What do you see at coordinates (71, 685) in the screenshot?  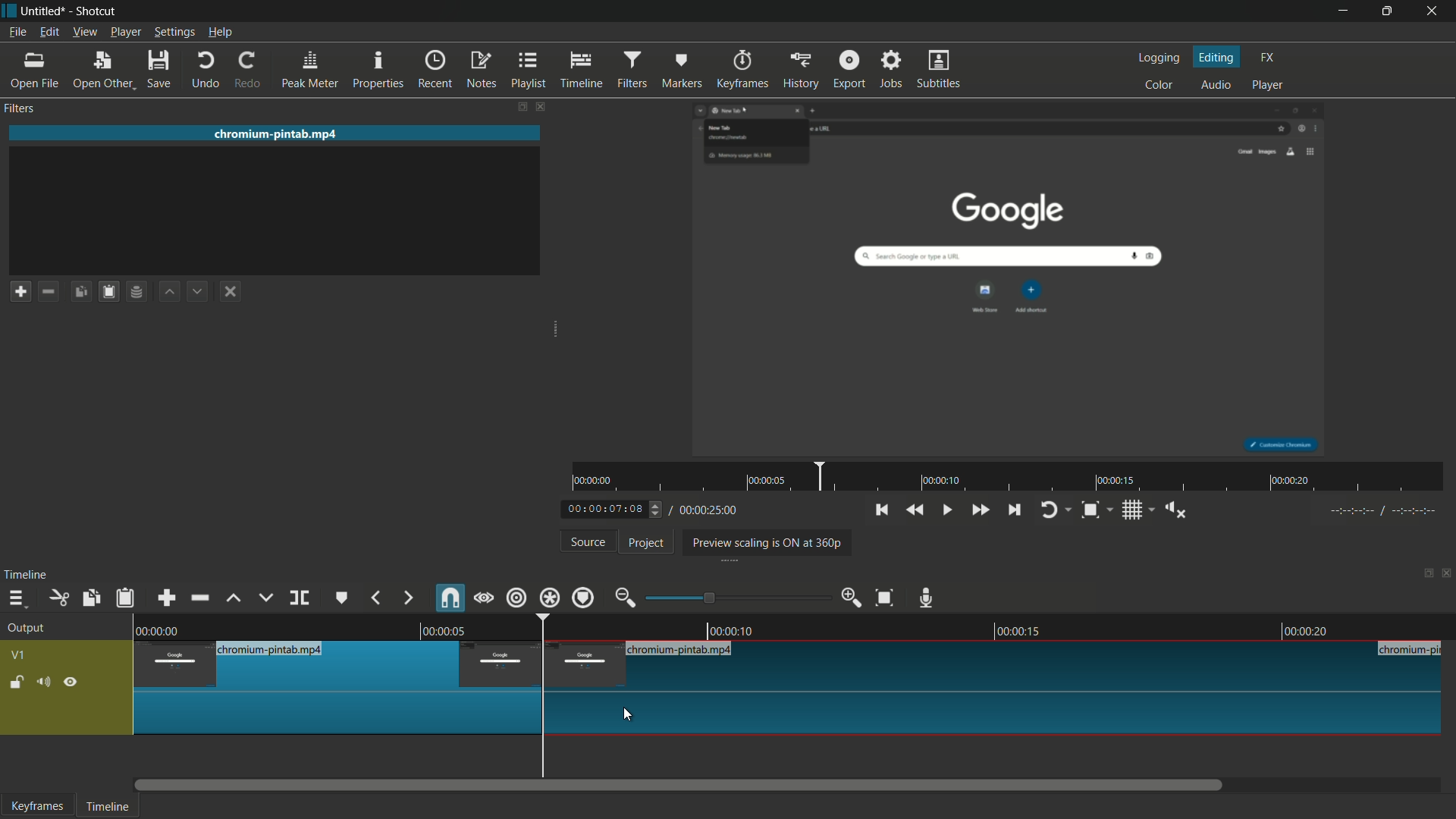 I see `hide` at bounding box center [71, 685].